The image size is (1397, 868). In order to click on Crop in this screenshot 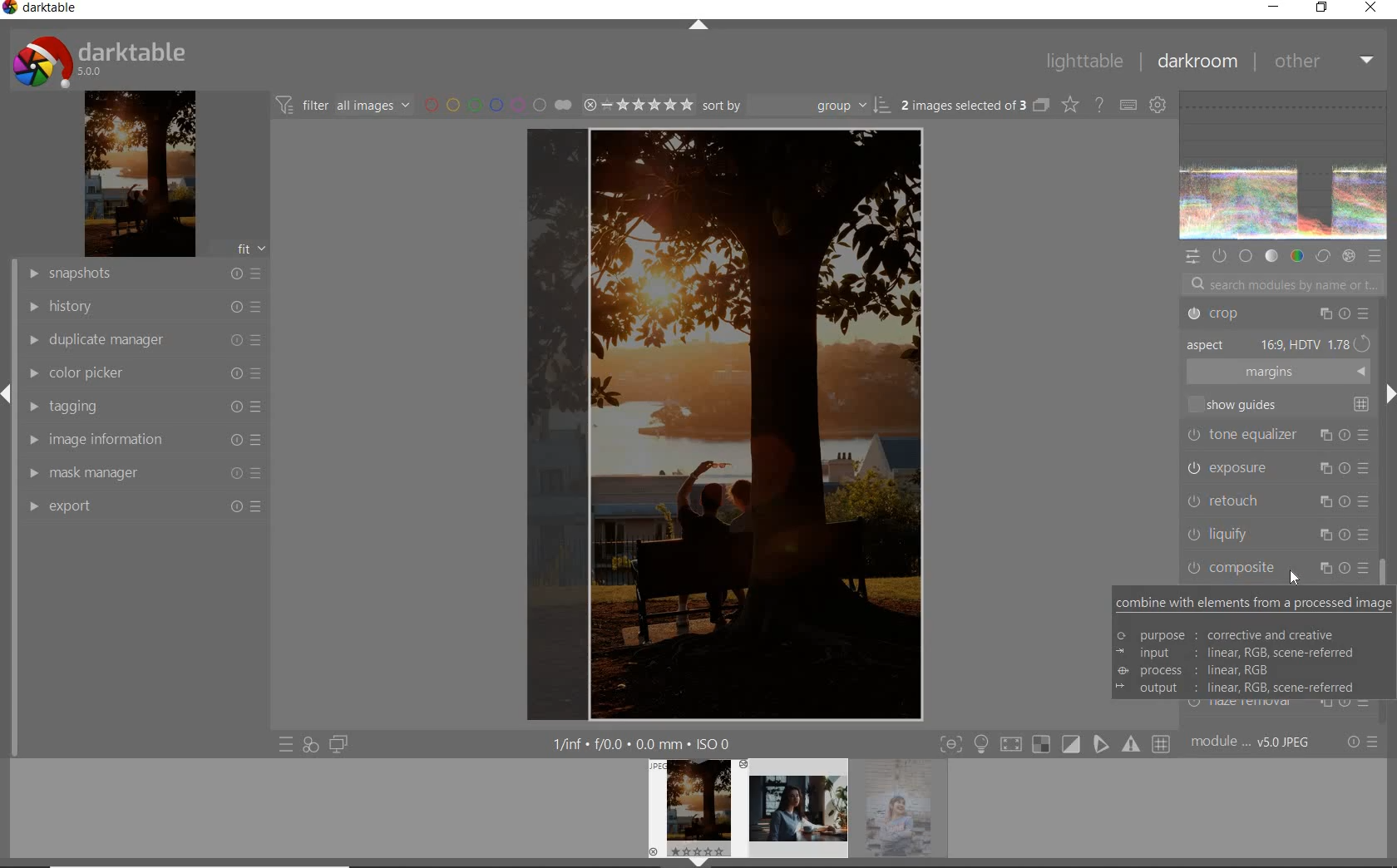, I will do `click(1278, 316)`.